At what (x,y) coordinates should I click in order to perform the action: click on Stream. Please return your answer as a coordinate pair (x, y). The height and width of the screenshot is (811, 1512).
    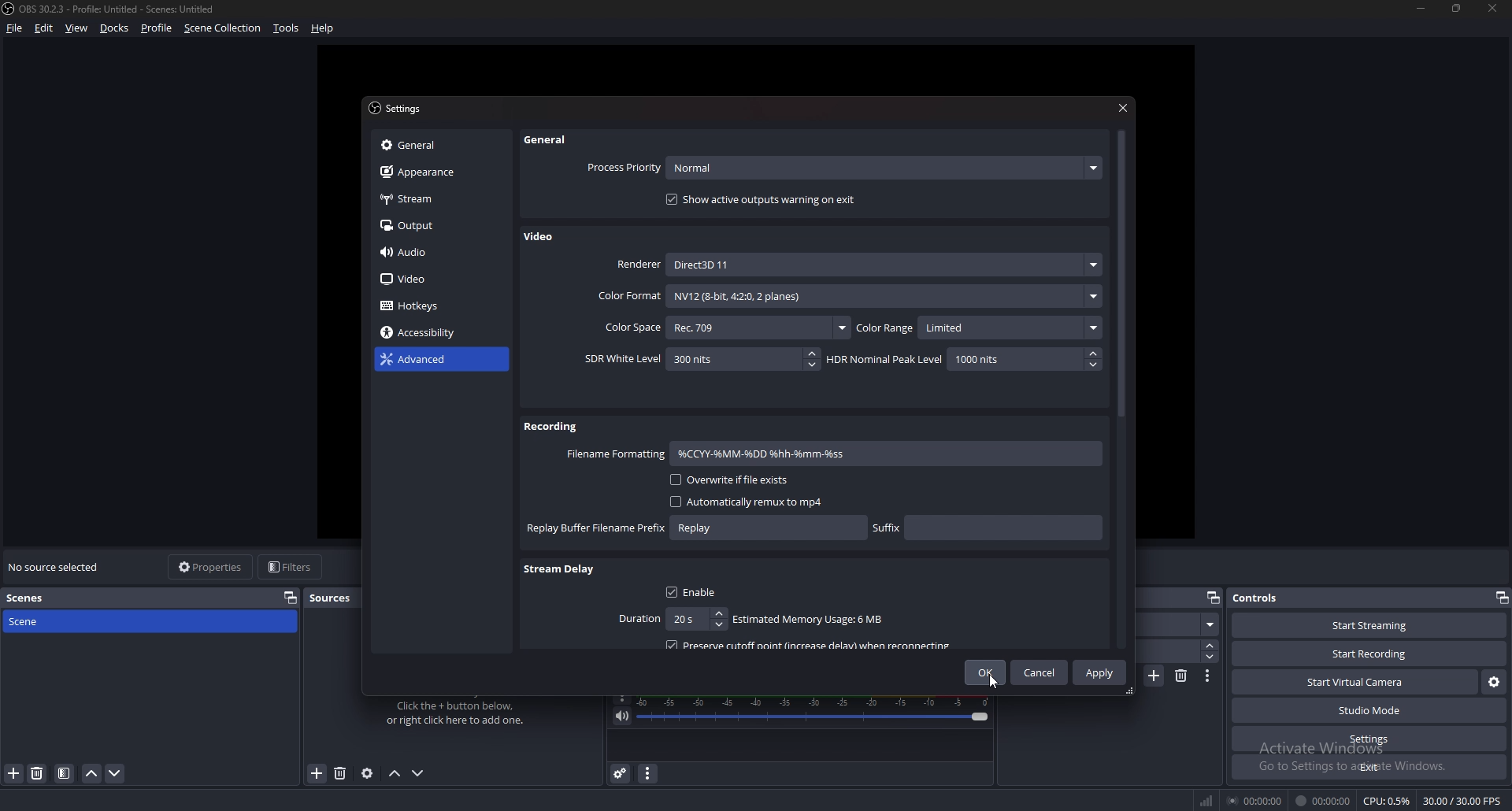
    Looking at the image, I should click on (438, 198).